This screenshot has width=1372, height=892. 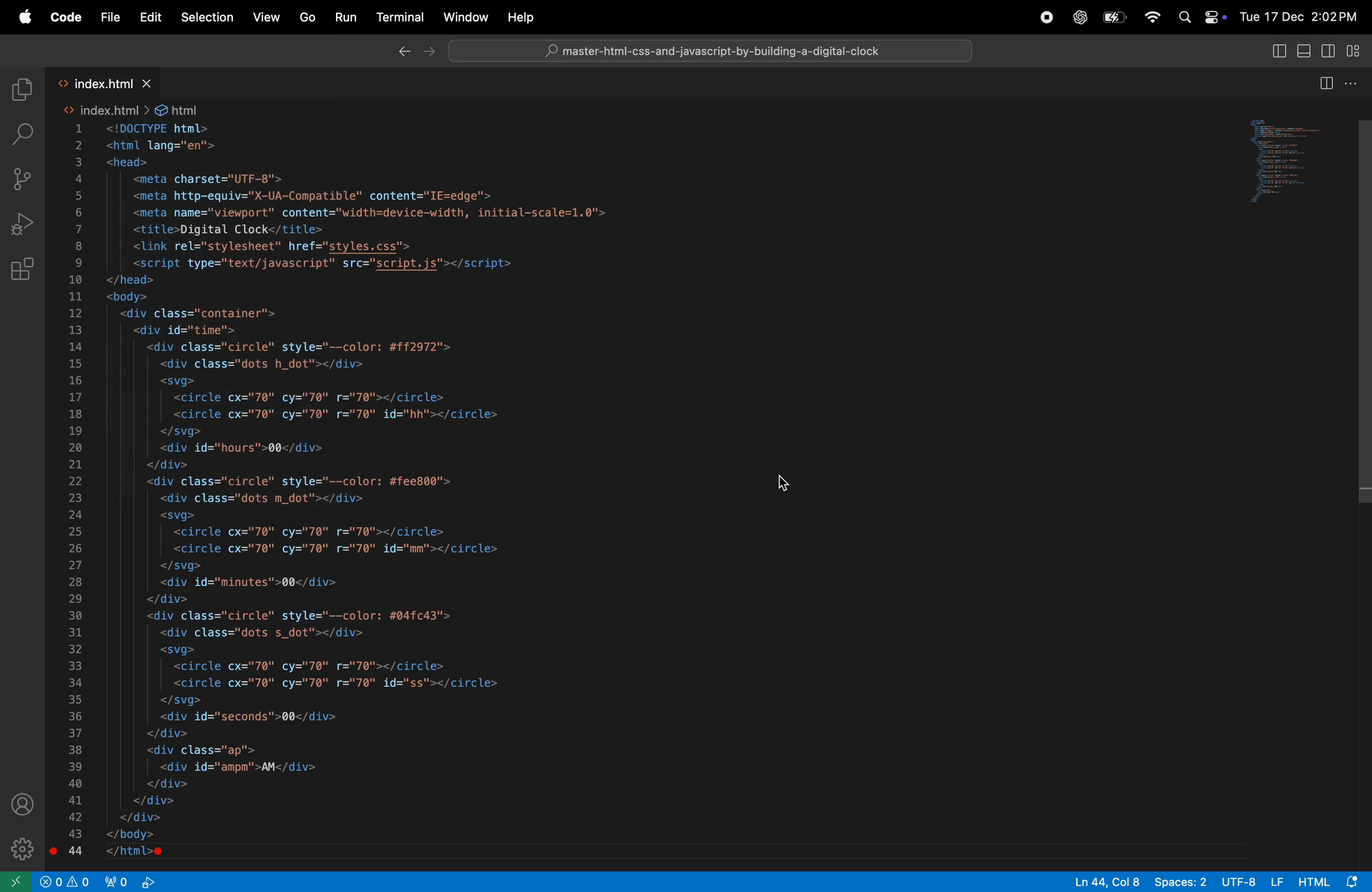 I want to click on search, so click(x=1185, y=20).